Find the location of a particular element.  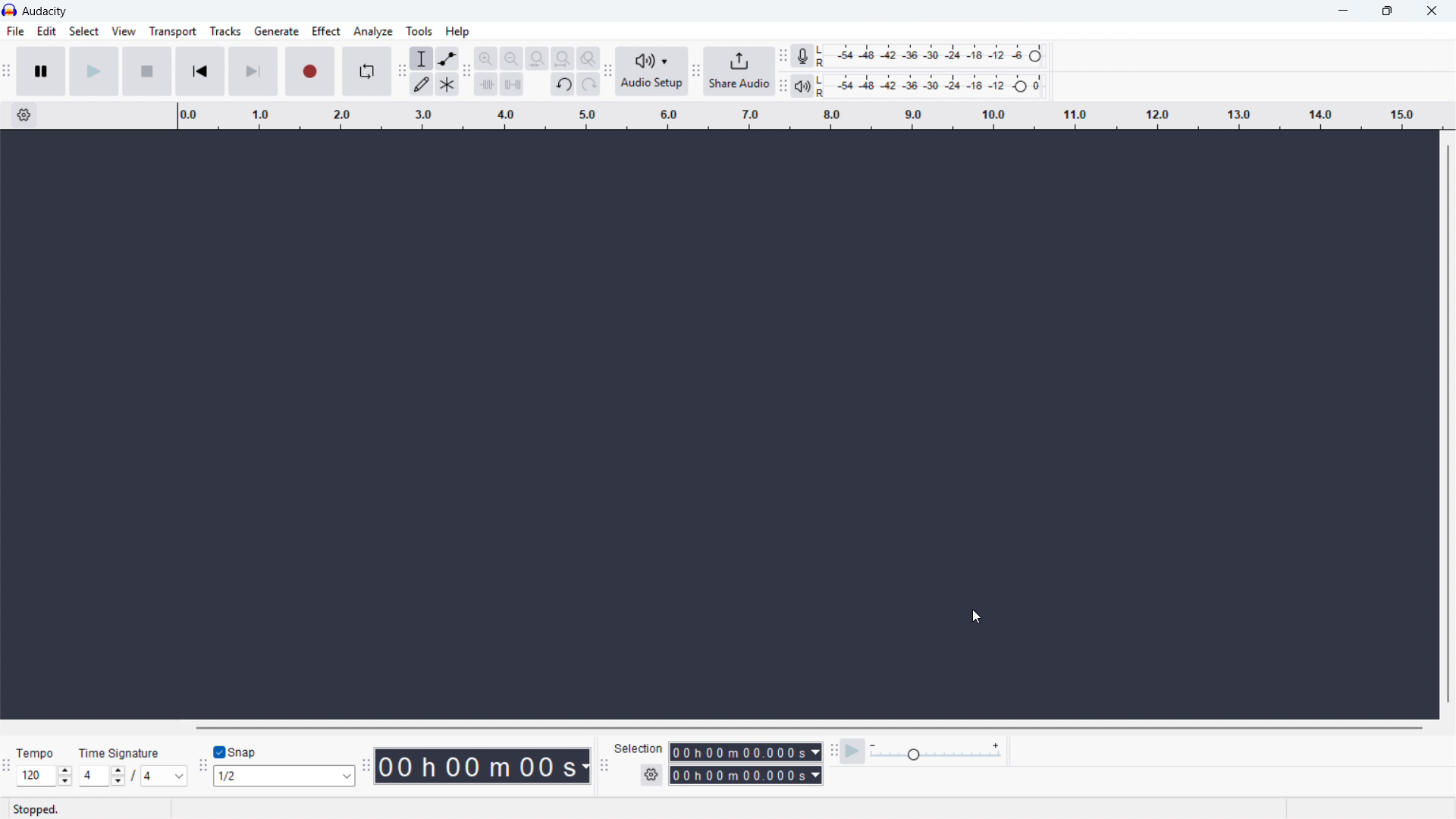

snapping toolbar is located at coordinates (202, 767).